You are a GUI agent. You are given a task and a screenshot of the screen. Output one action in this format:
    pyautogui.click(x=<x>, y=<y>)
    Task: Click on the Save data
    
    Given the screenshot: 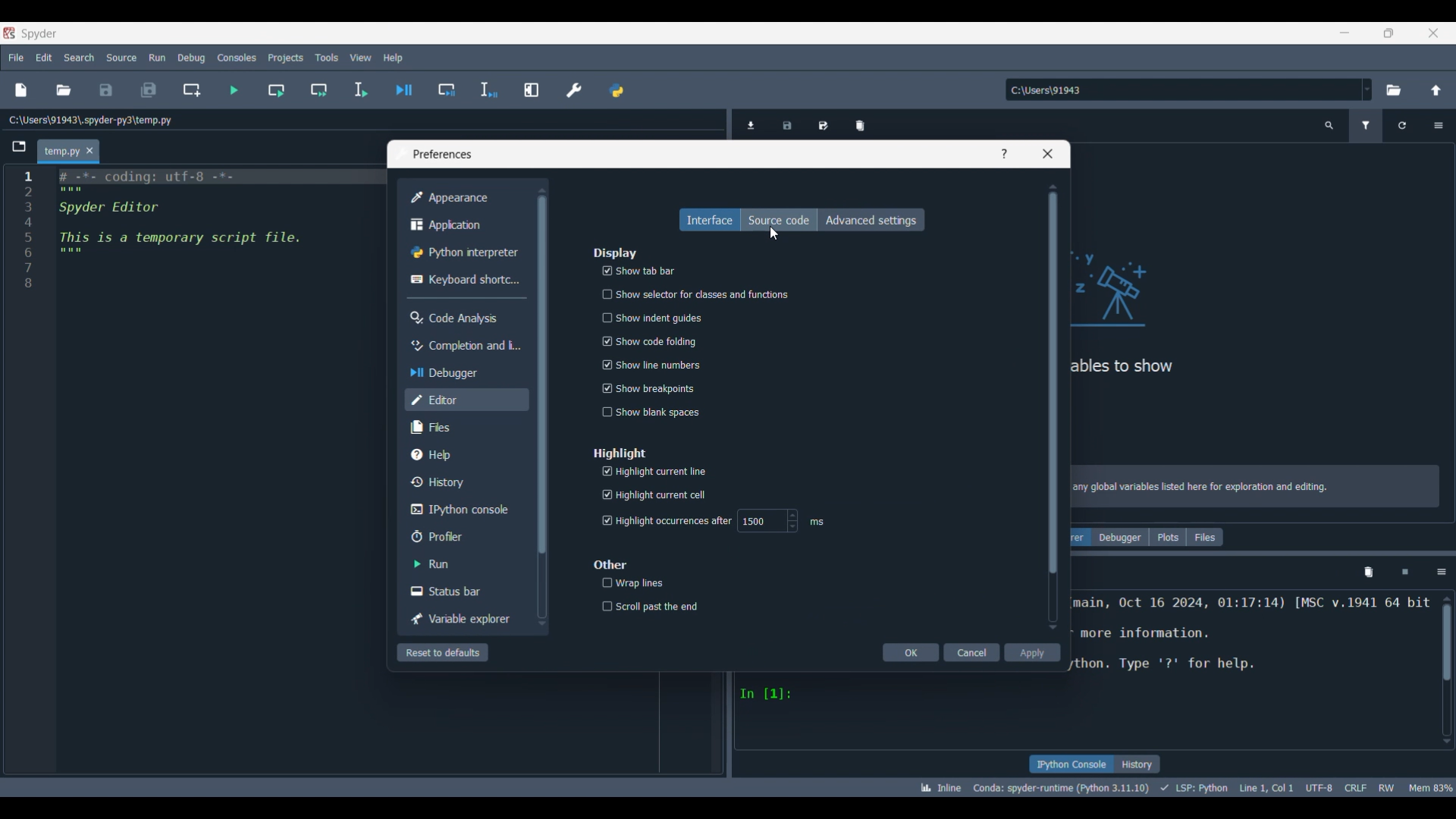 What is the action you would take?
    pyautogui.click(x=786, y=124)
    